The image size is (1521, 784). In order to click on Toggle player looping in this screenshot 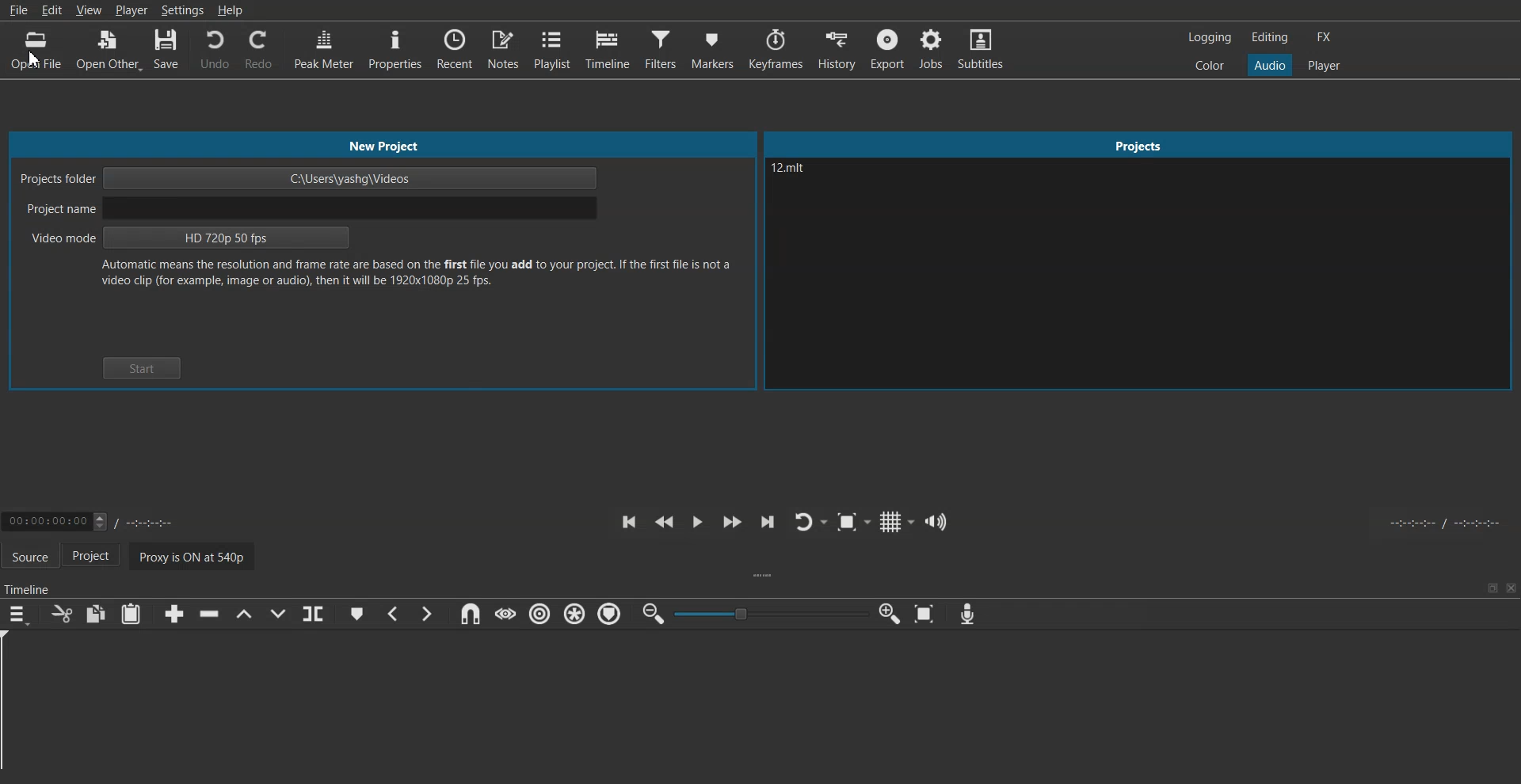, I will do `click(810, 521)`.